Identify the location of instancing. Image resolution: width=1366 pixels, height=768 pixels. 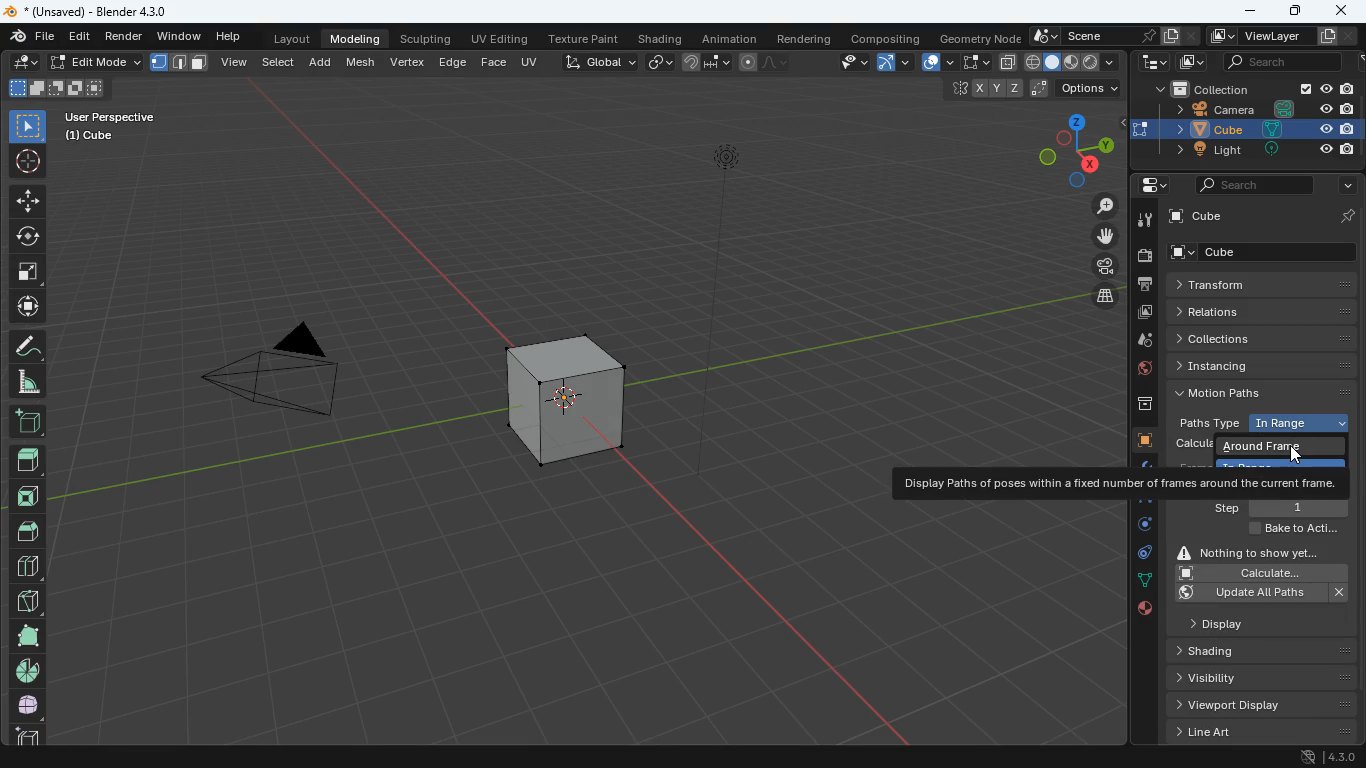
(1267, 365).